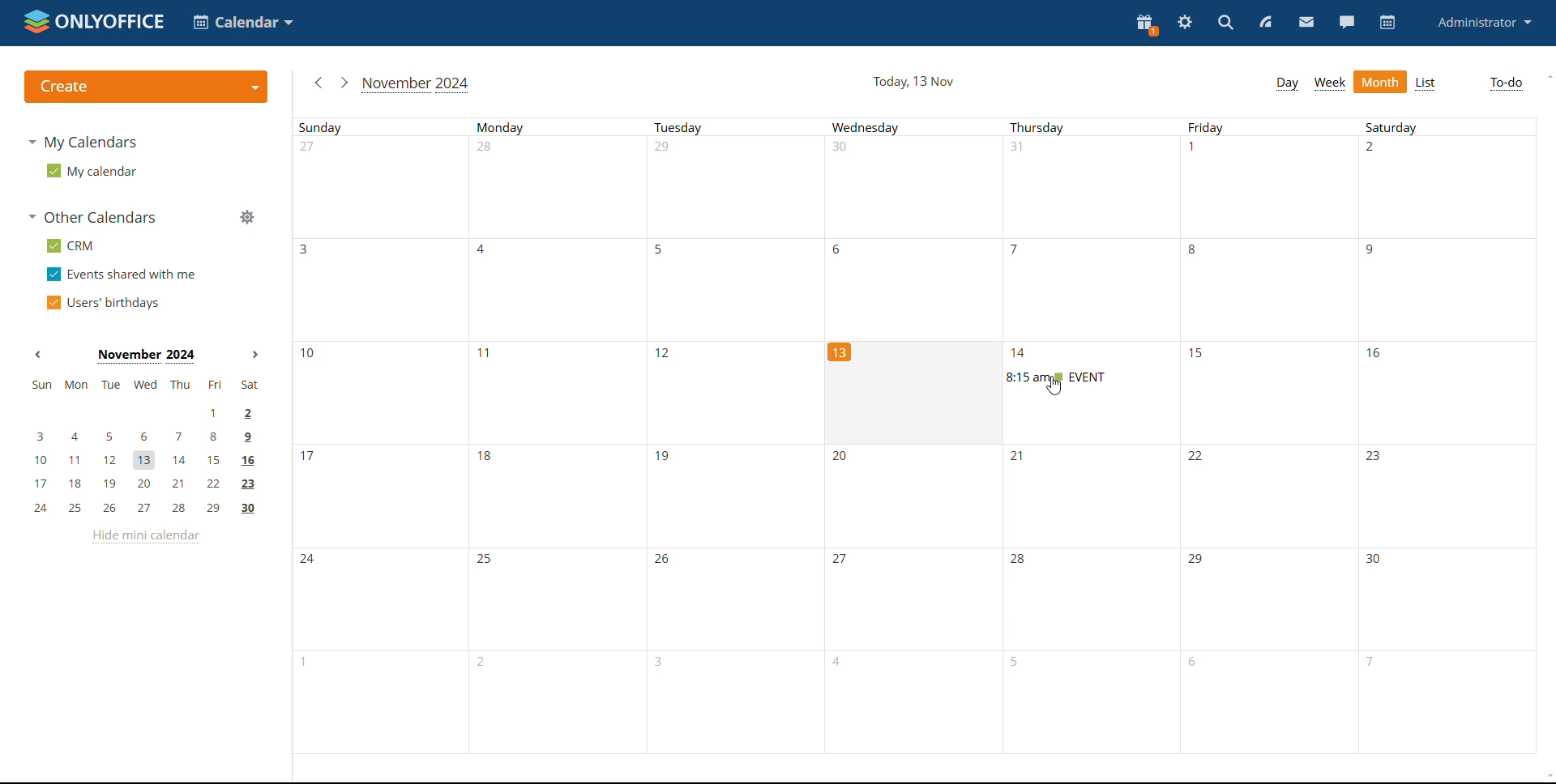 This screenshot has height=784, width=1556. I want to click on unallocated time slot for 10-12 november, so click(562, 394).